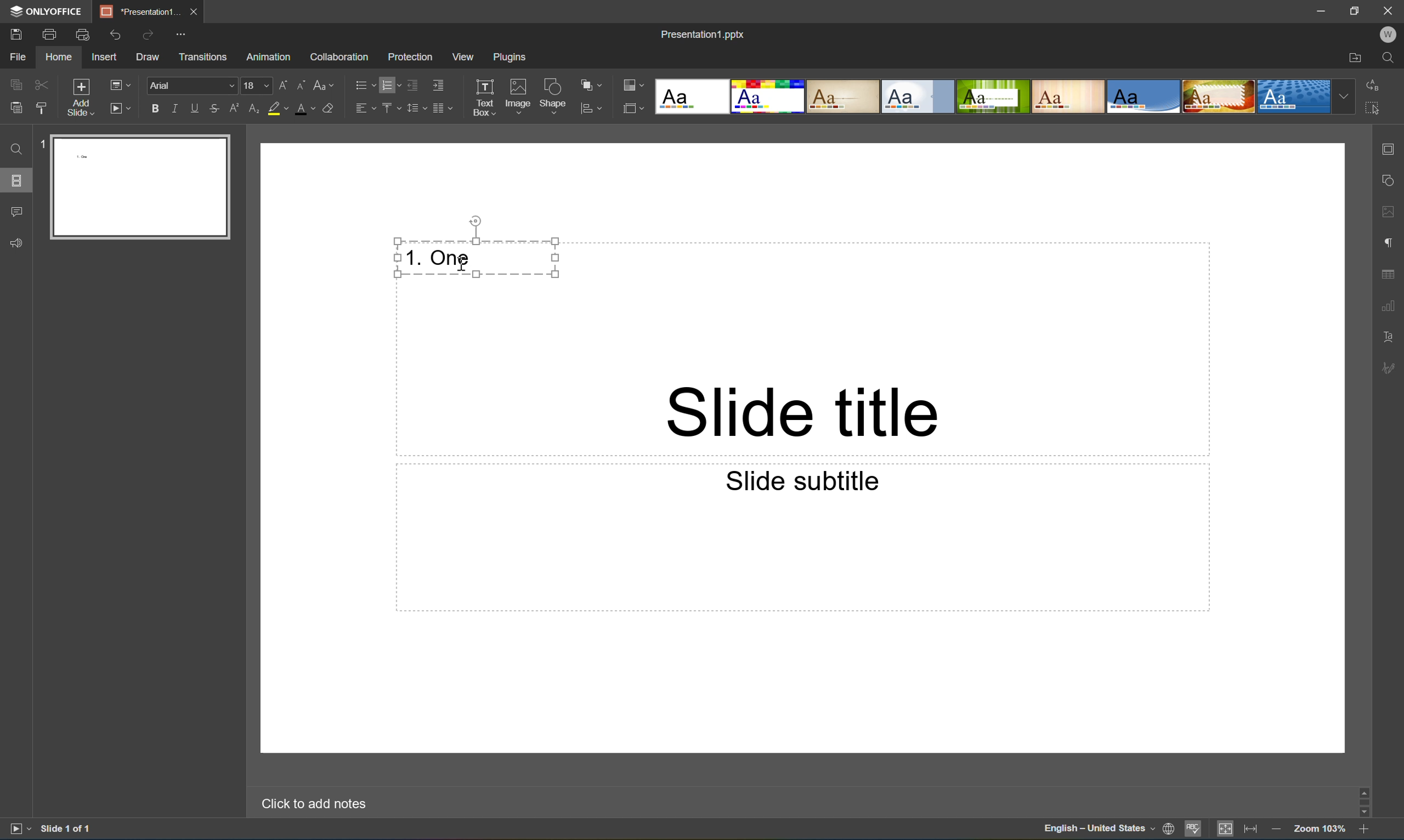 This screenshot has width=1404, height=840. I want to click on Animation, so click(267, 59).